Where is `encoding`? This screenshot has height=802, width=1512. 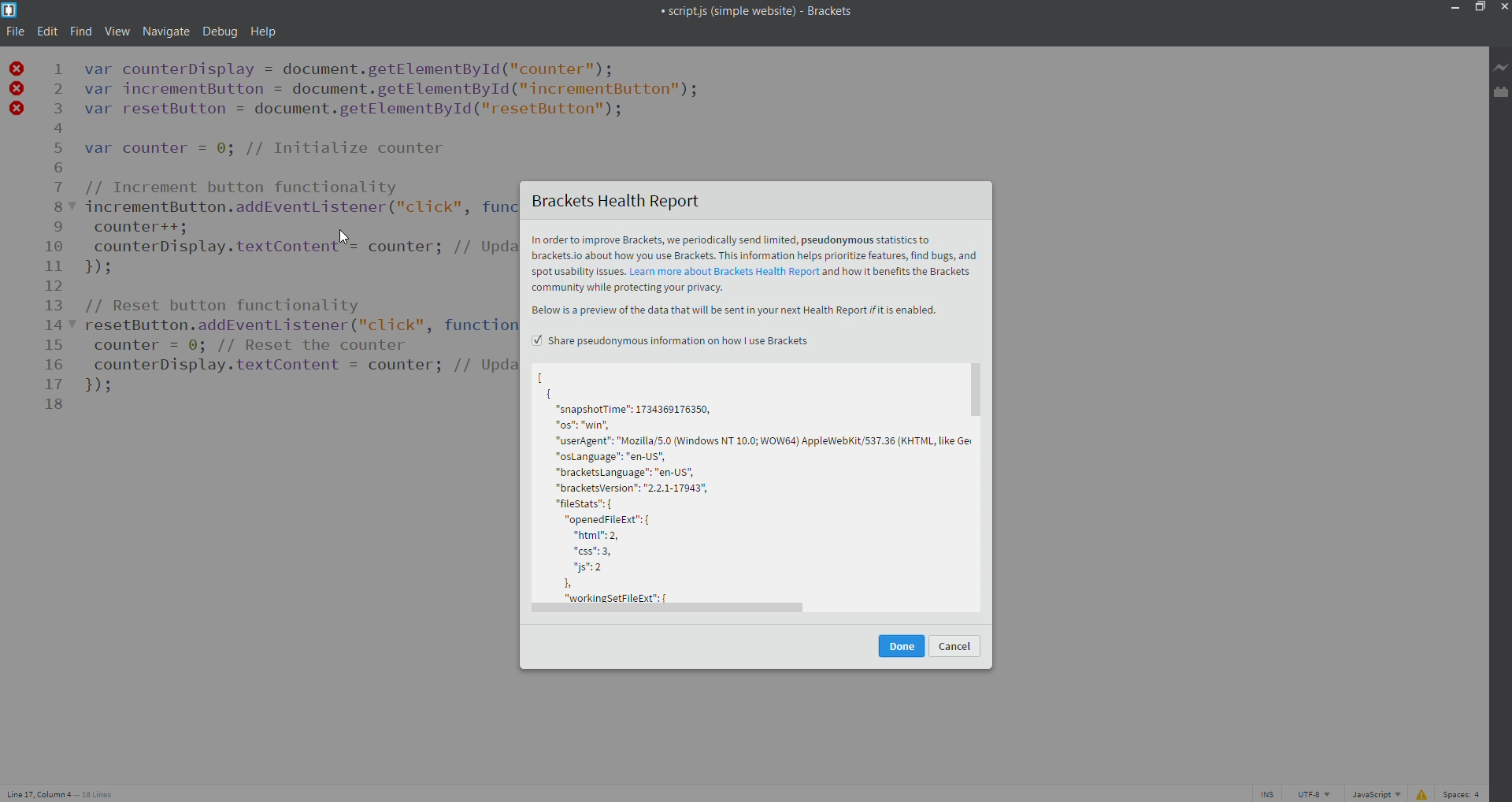 encoding is located at coordinates (1310, 793).